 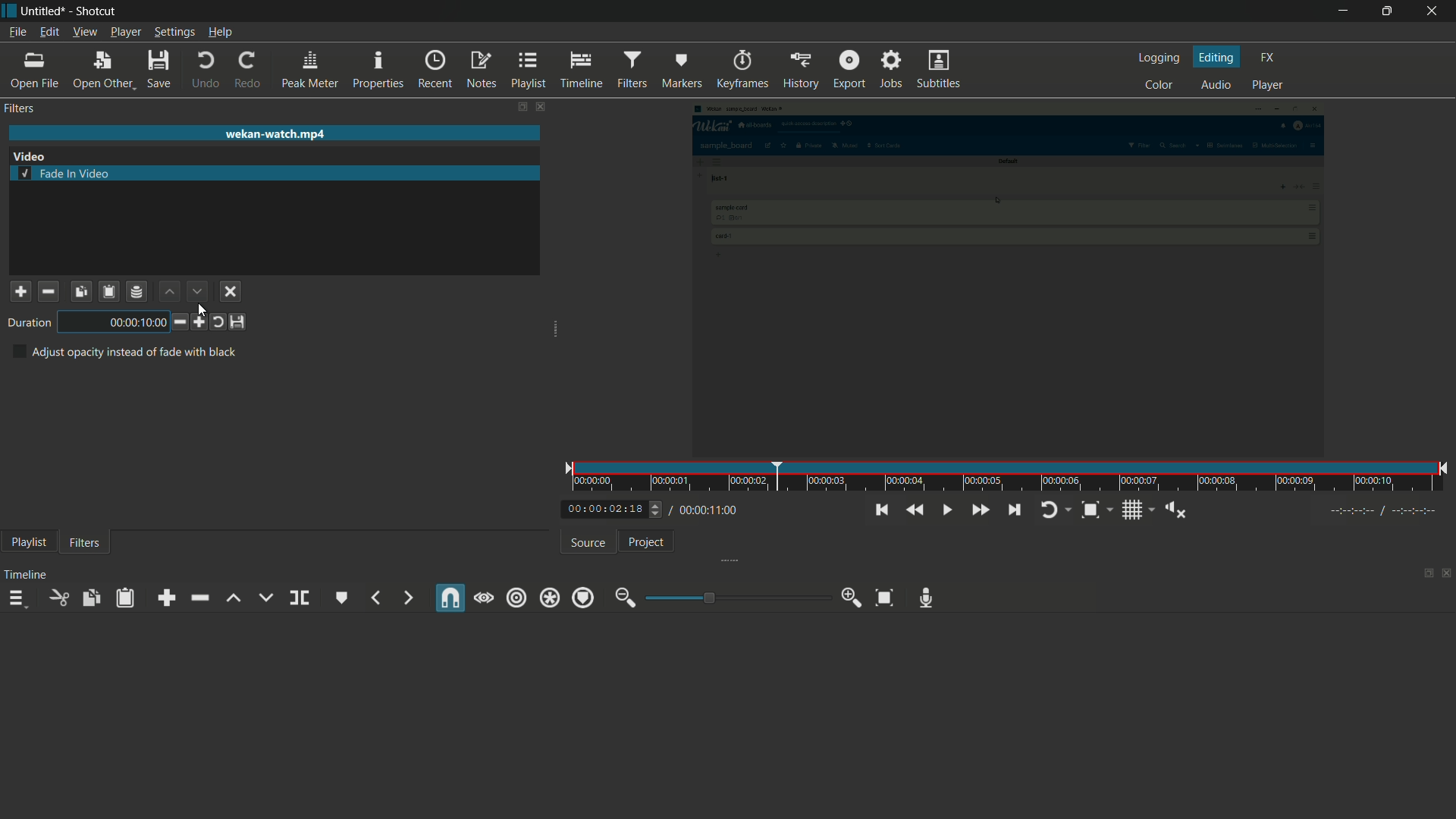 What do you see at coordinates (681, 71) in the screenshot?
I see `markers` at bounding box center [681, 71].